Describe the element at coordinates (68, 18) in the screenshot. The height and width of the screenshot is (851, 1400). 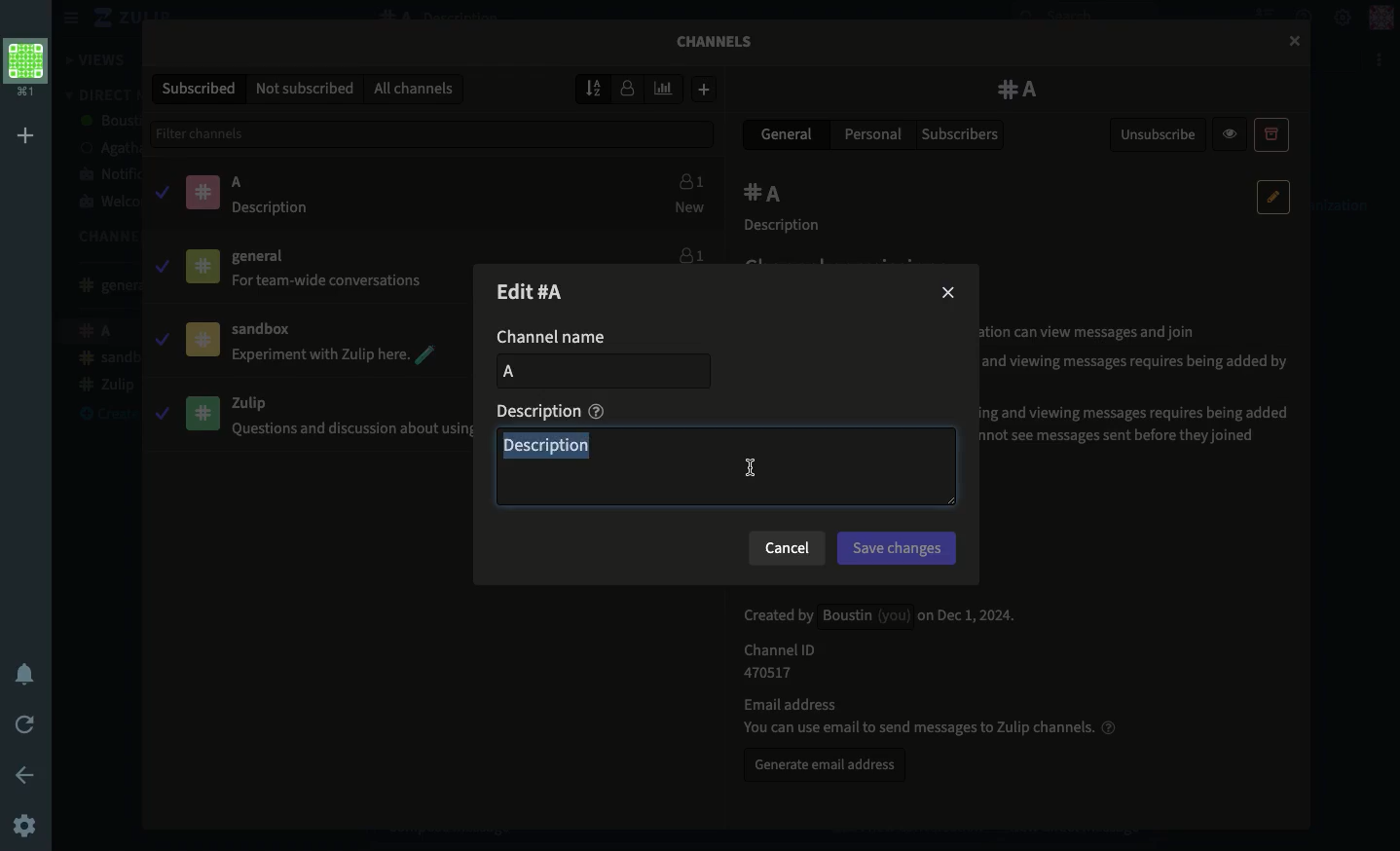
I see `Hide menu` at that location.